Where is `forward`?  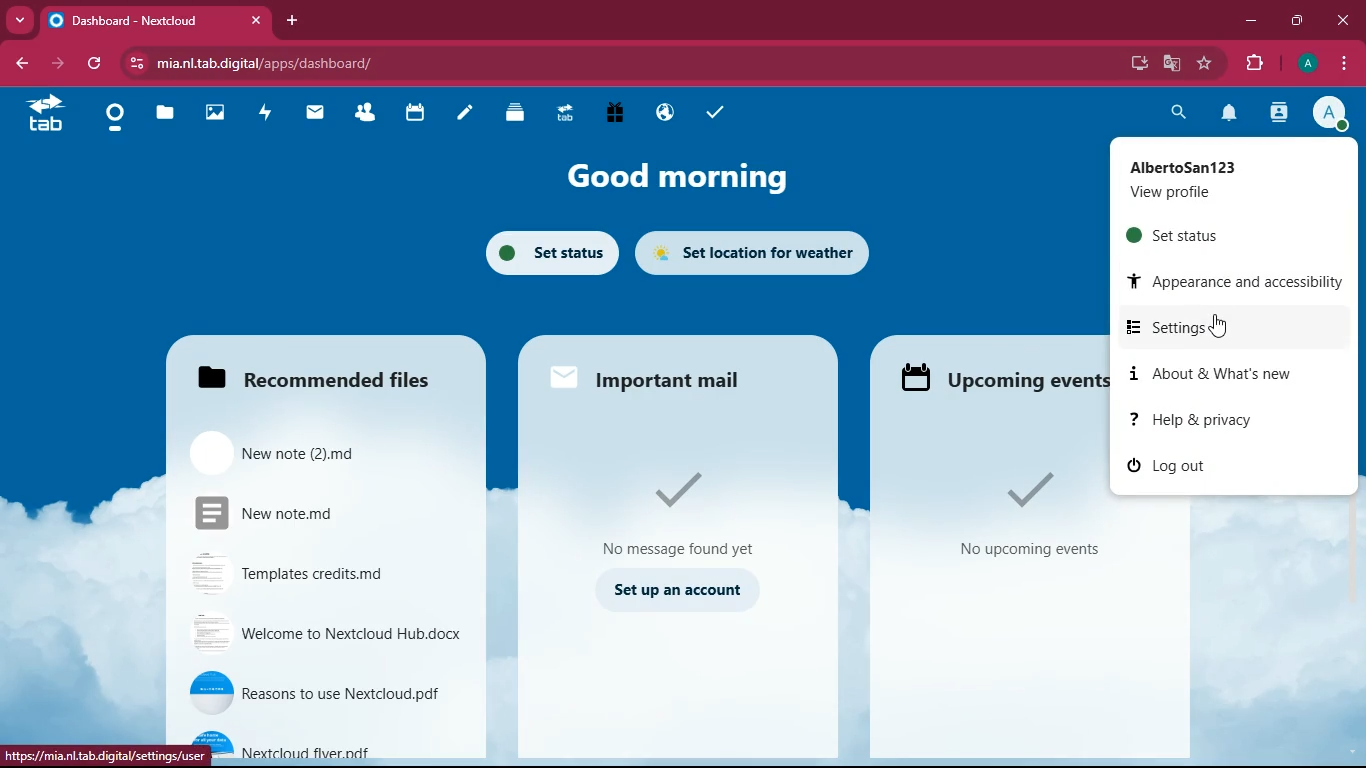 forward is located at coordinates (55, 64).